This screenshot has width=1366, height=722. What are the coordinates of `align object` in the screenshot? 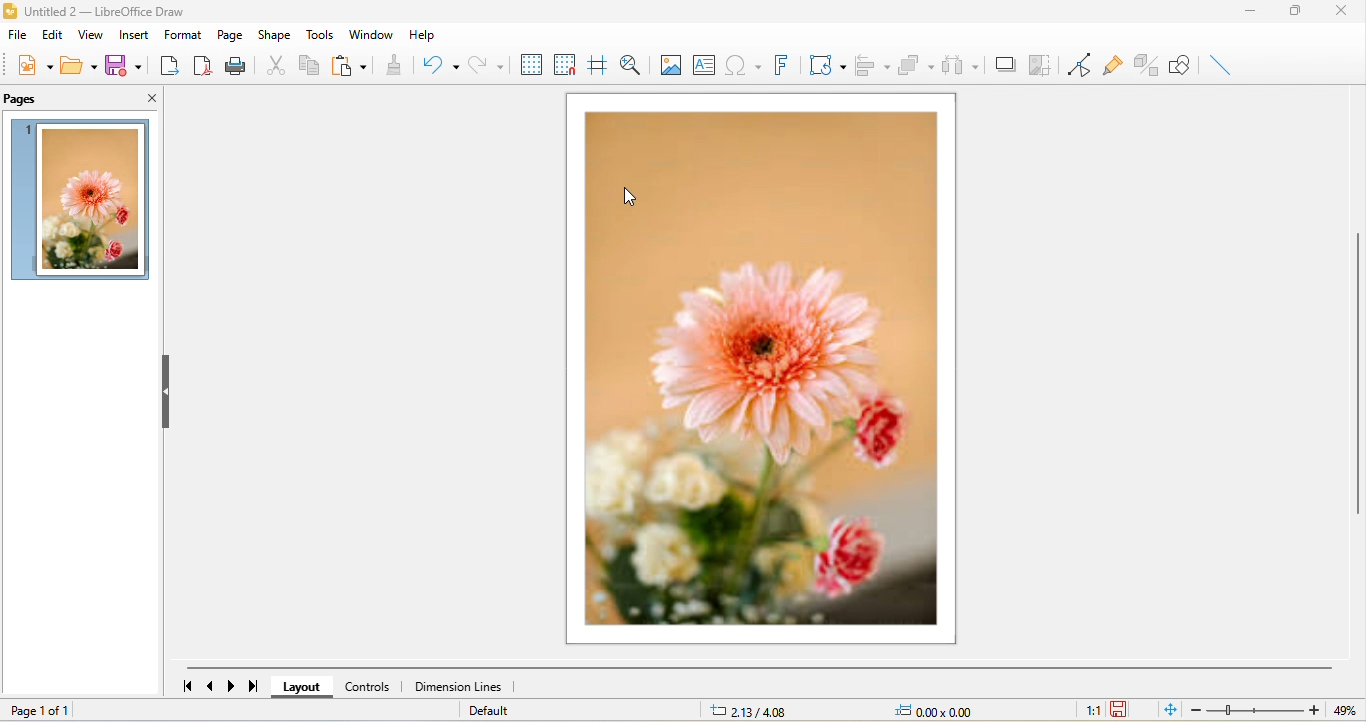 It's located at (870, 65).